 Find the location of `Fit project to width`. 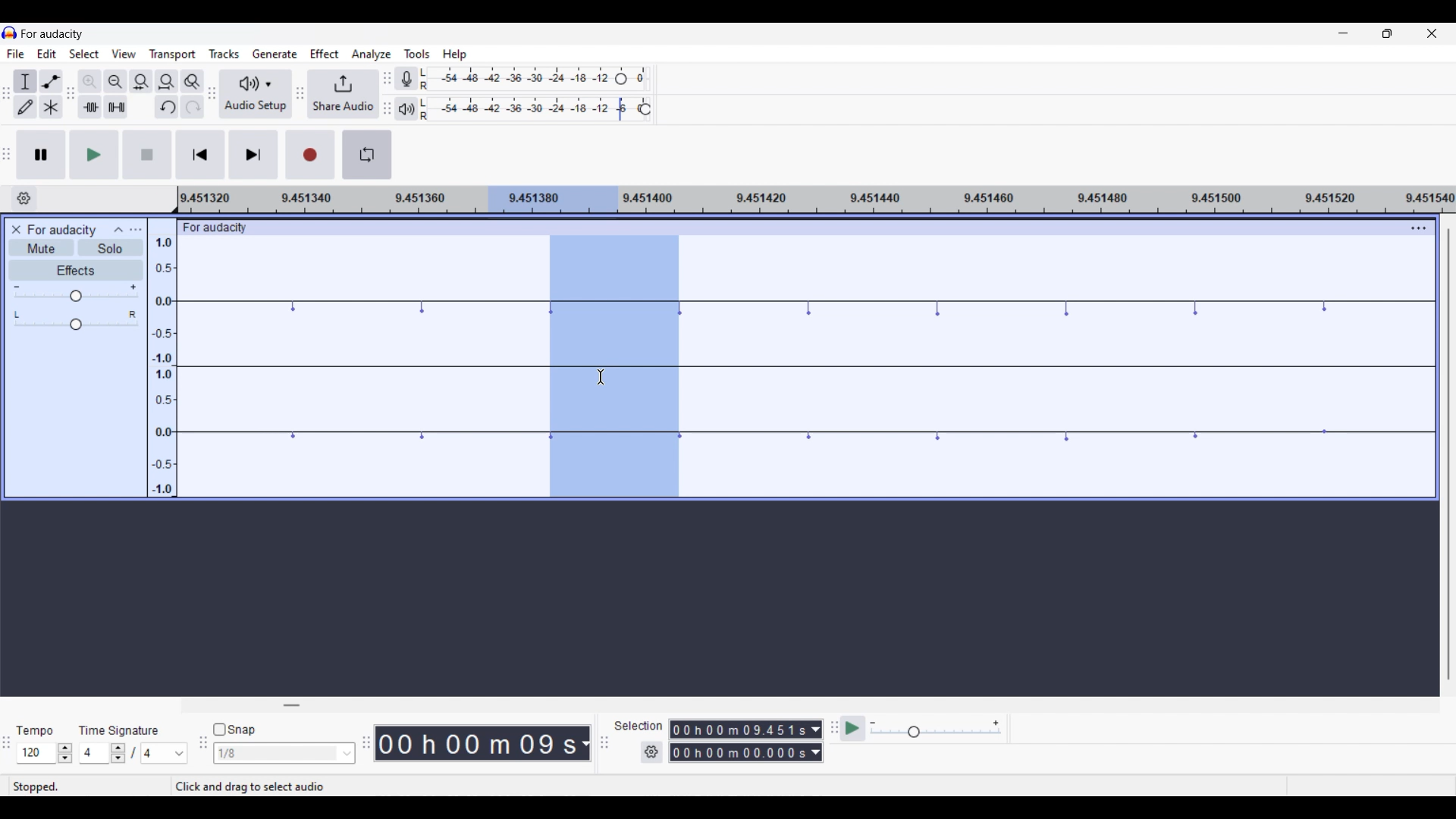

Fit project to width is located at coordinates (167, 81).